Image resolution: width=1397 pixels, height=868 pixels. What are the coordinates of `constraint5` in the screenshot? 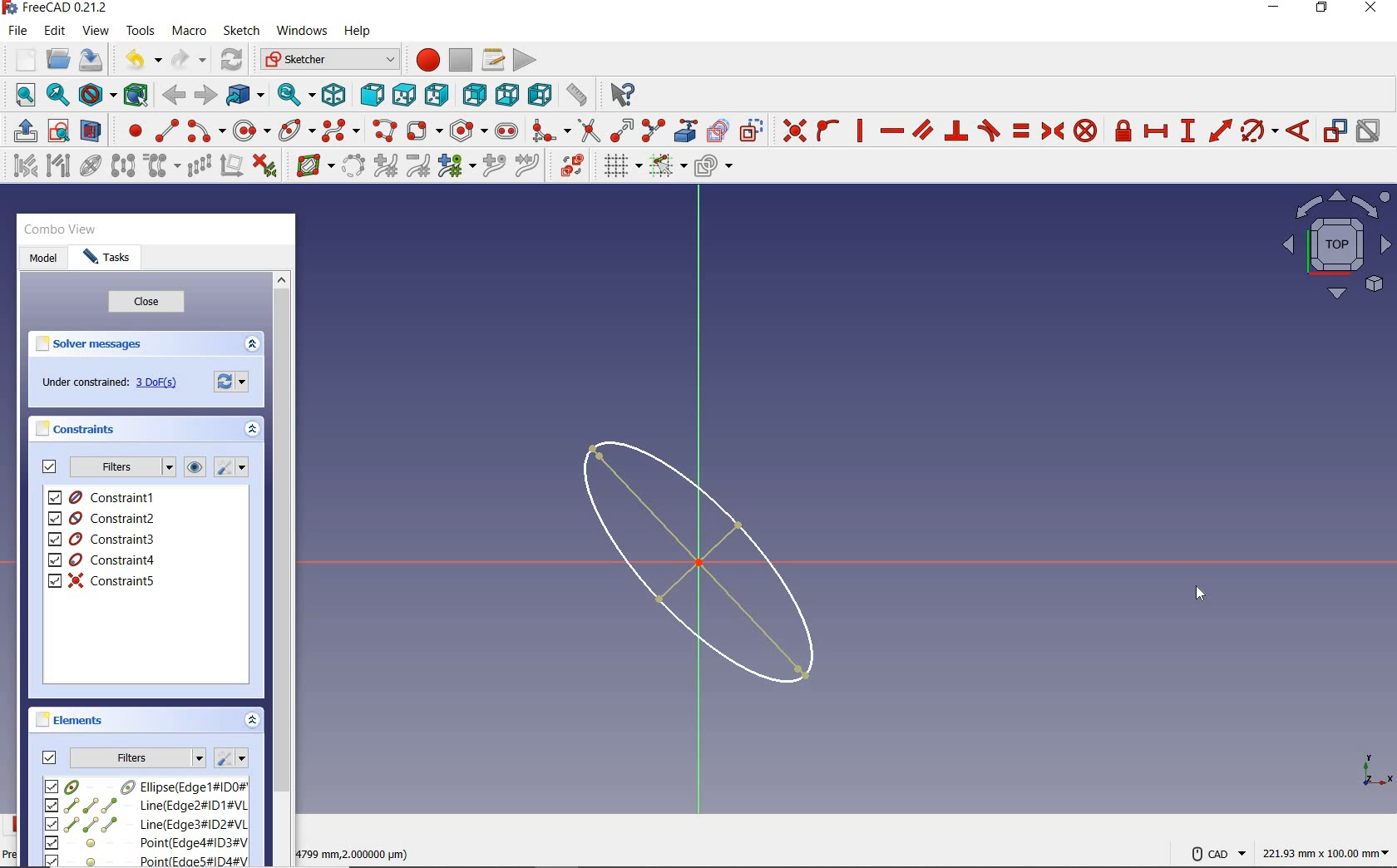 It's located at (102, 580).